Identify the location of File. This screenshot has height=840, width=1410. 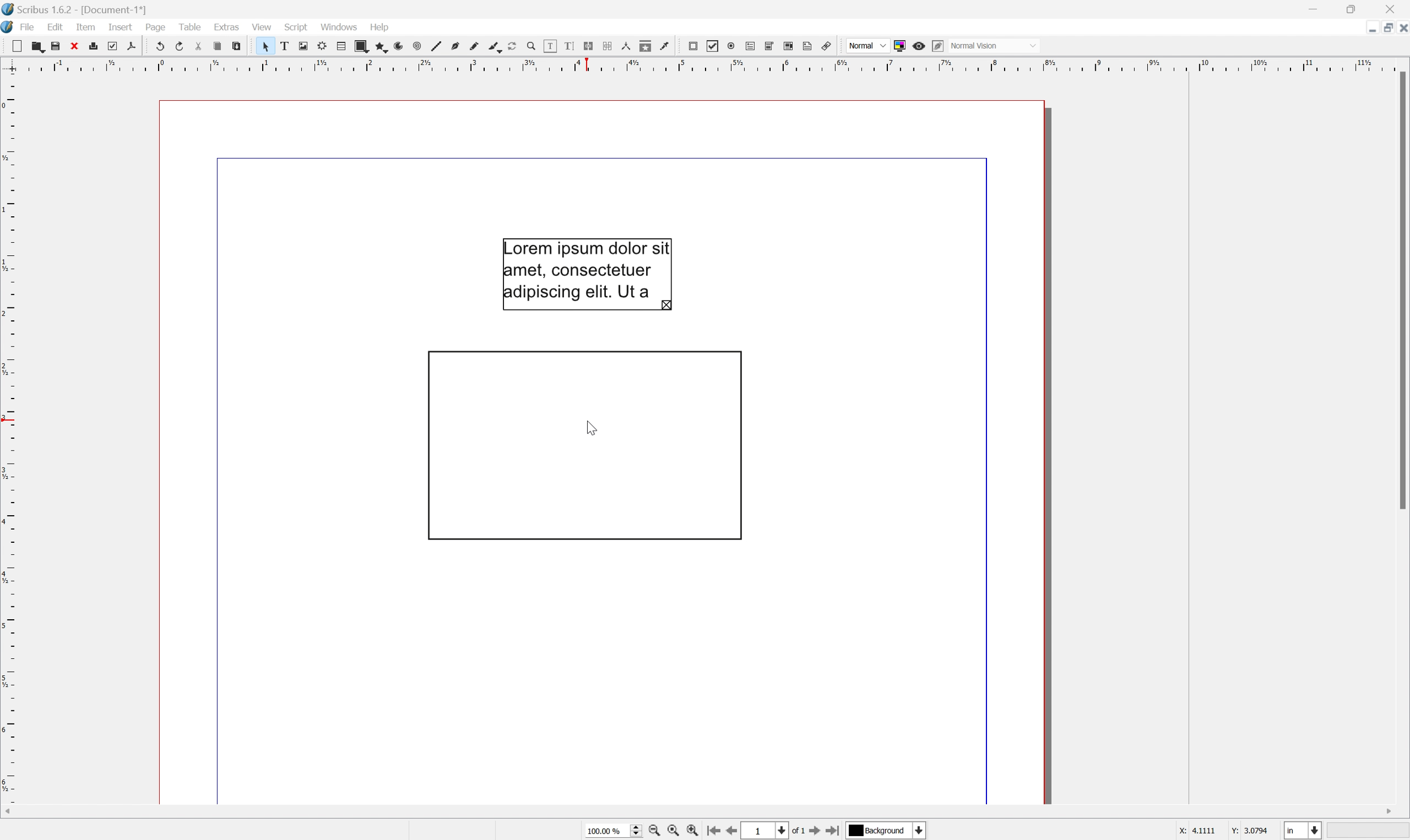
(25, 27).